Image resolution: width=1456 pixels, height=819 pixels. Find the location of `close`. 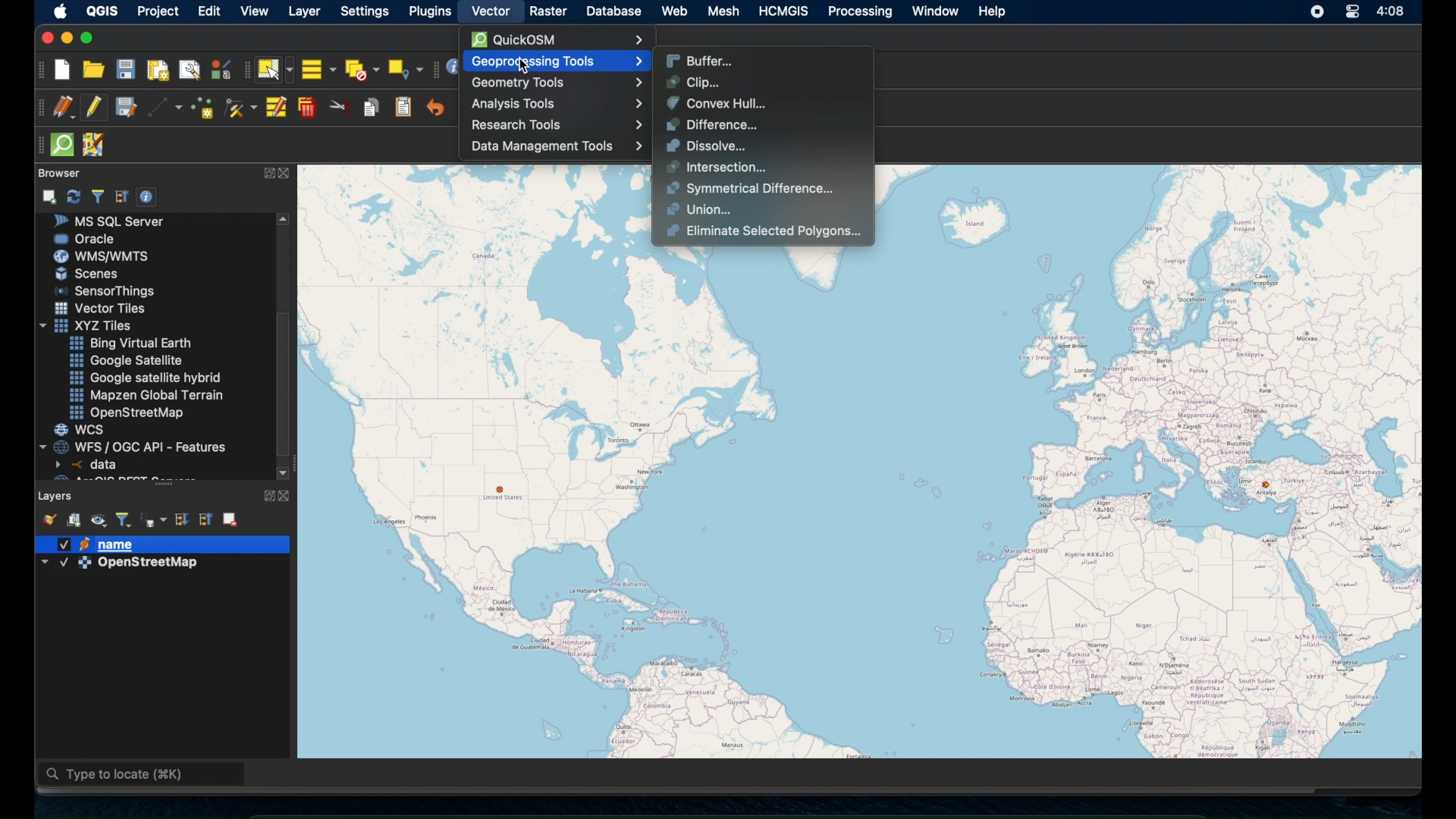

close is located at coordinates (45, 38).